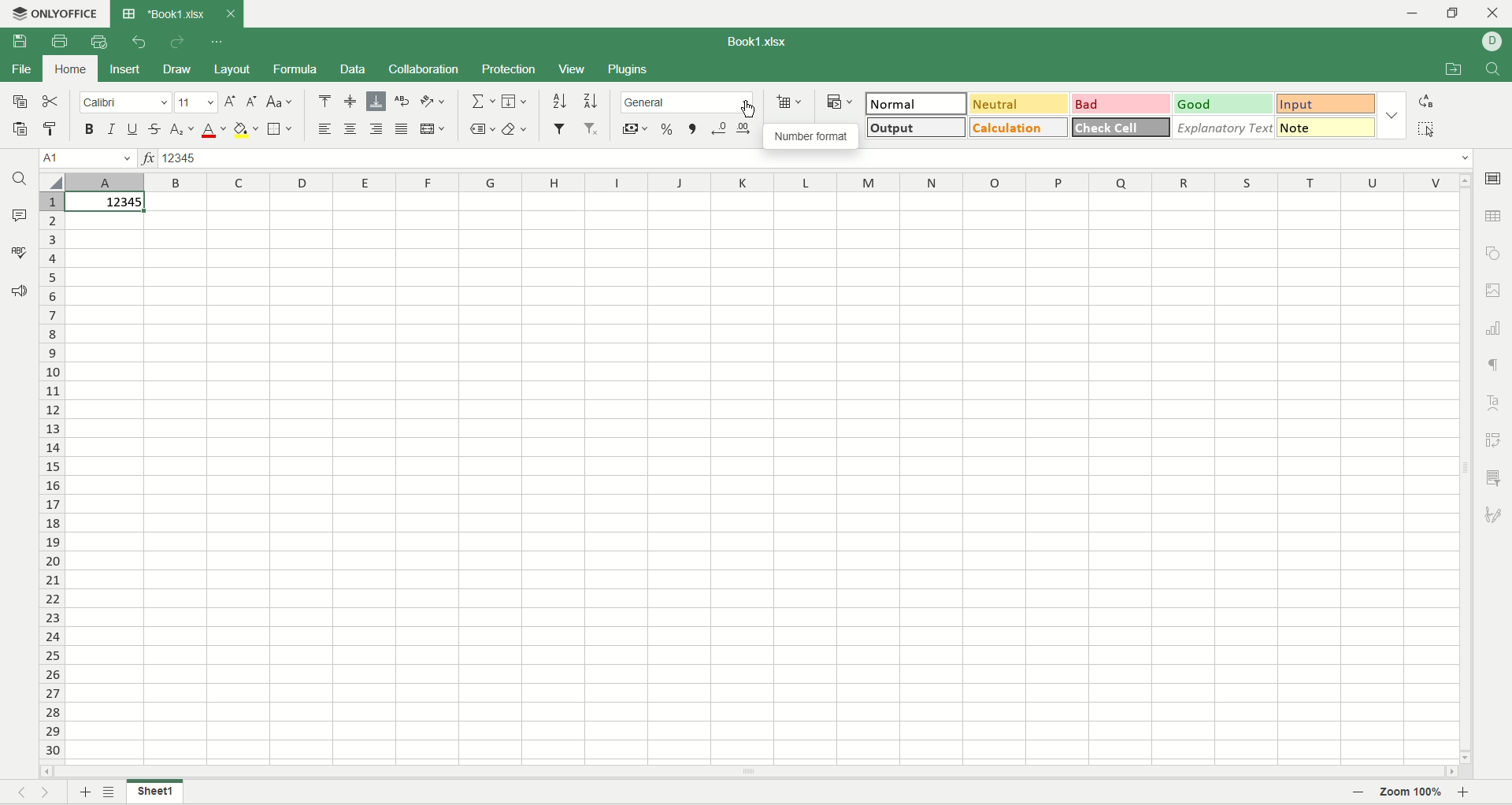 The image size is (1512, 805). What do you see at coordinates (484, 102) in the screenshot?
I see `summation` at bounding box center [484, 102].